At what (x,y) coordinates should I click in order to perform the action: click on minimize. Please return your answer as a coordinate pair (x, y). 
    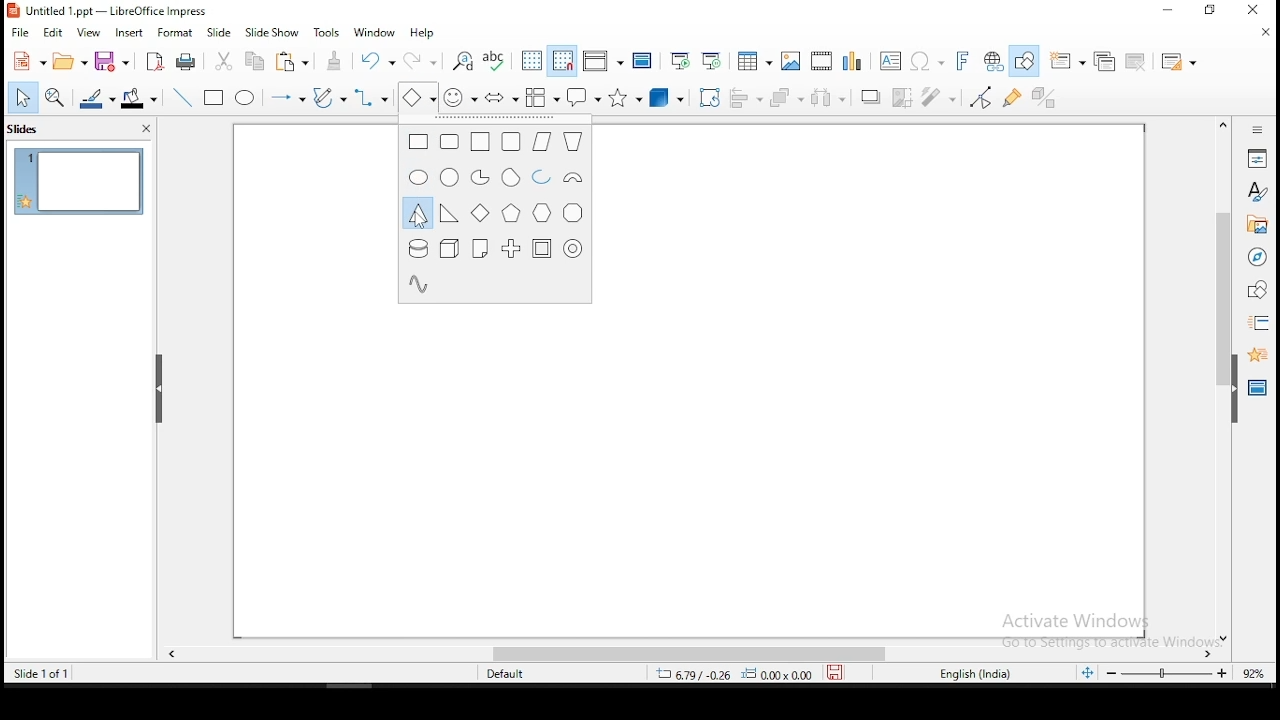
    Looking at the image, I should click on (1164, 12).